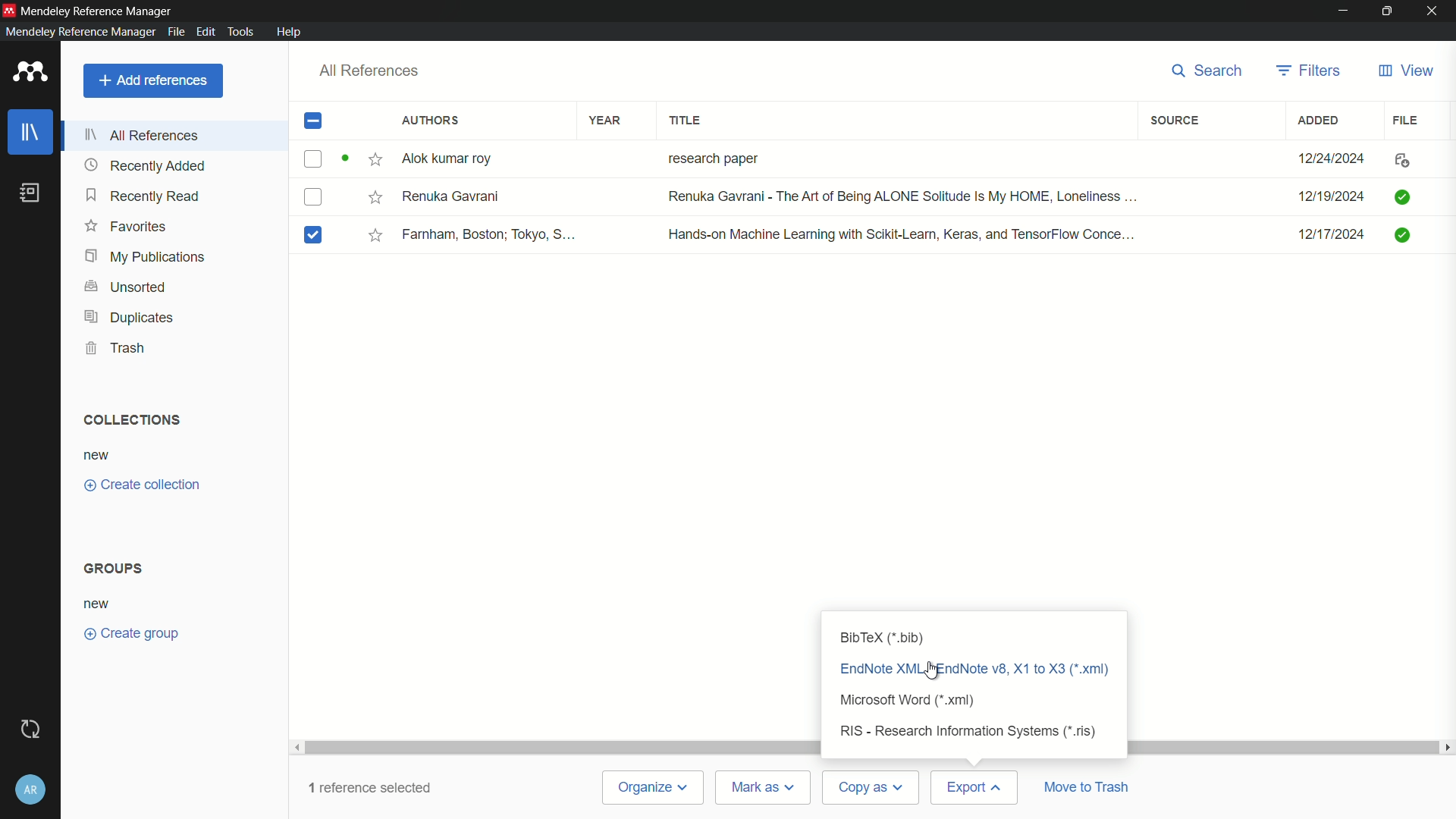 This screenshot has height=819, width=1456. Describe the element at coordinates (906, 700) in the screenshot. I see `microsoft word xml format` at that location.